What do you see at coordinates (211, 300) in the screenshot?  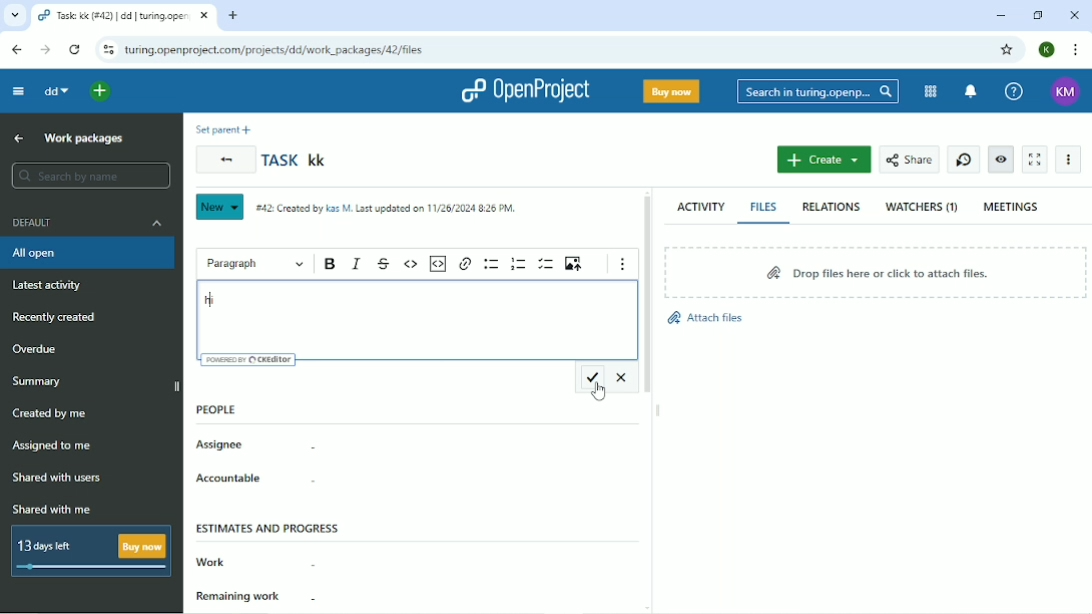 I see `typing cursor` at bounding box center [211, 300].